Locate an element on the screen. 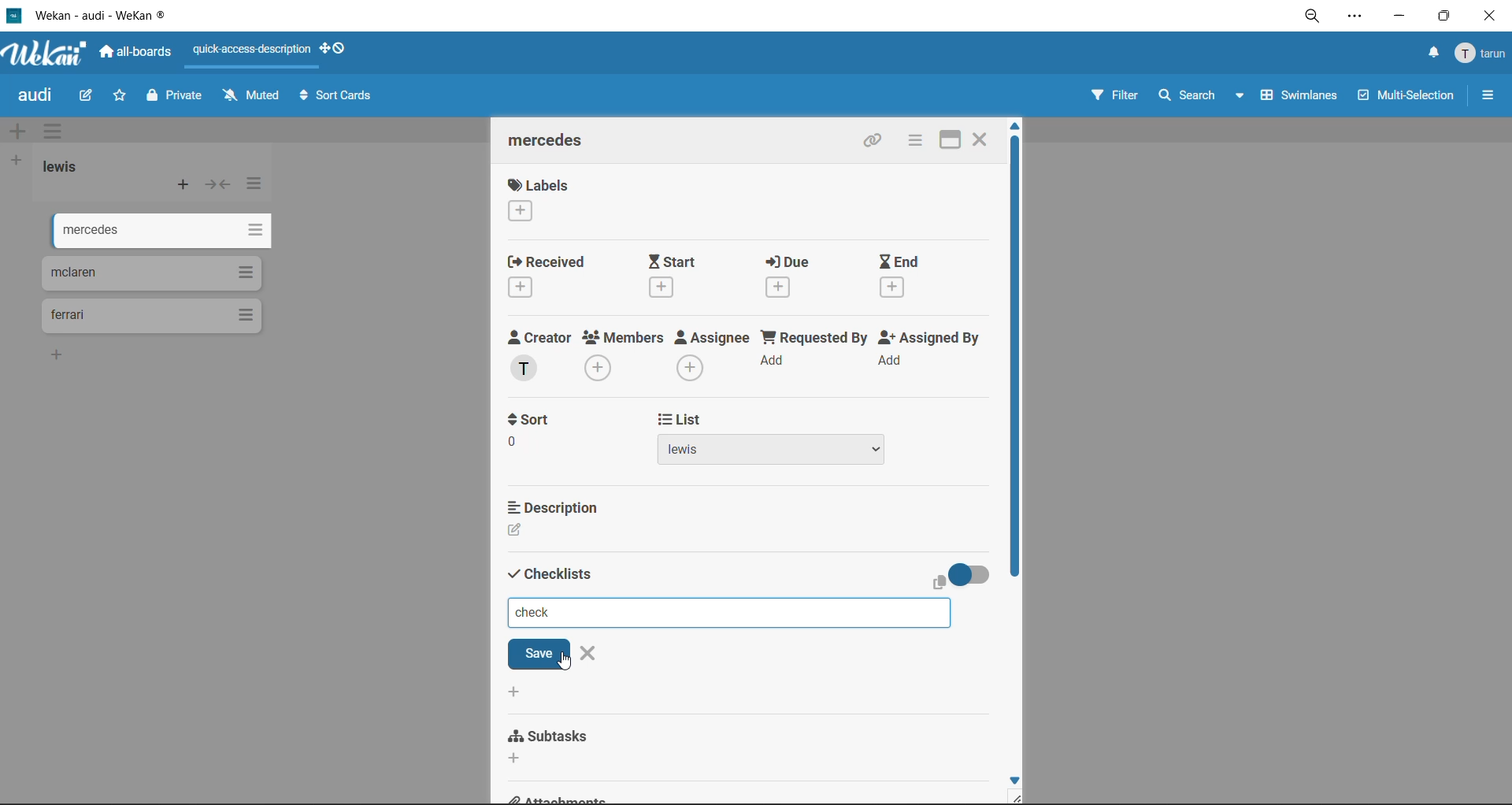 The height and width of the screenshot is (805, 1512). assignee is located at coordinates (717, 358).